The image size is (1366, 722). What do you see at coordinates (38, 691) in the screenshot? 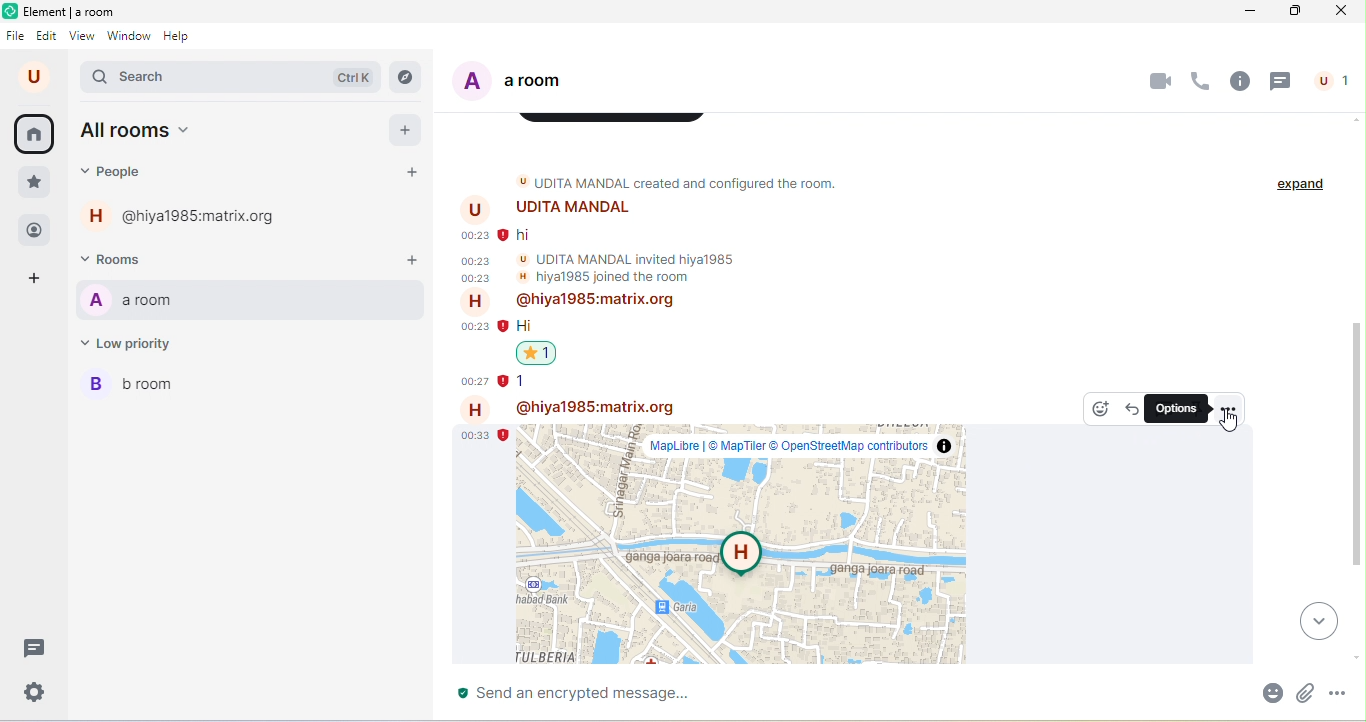
I see `settings` at bounding box center [38, 691].